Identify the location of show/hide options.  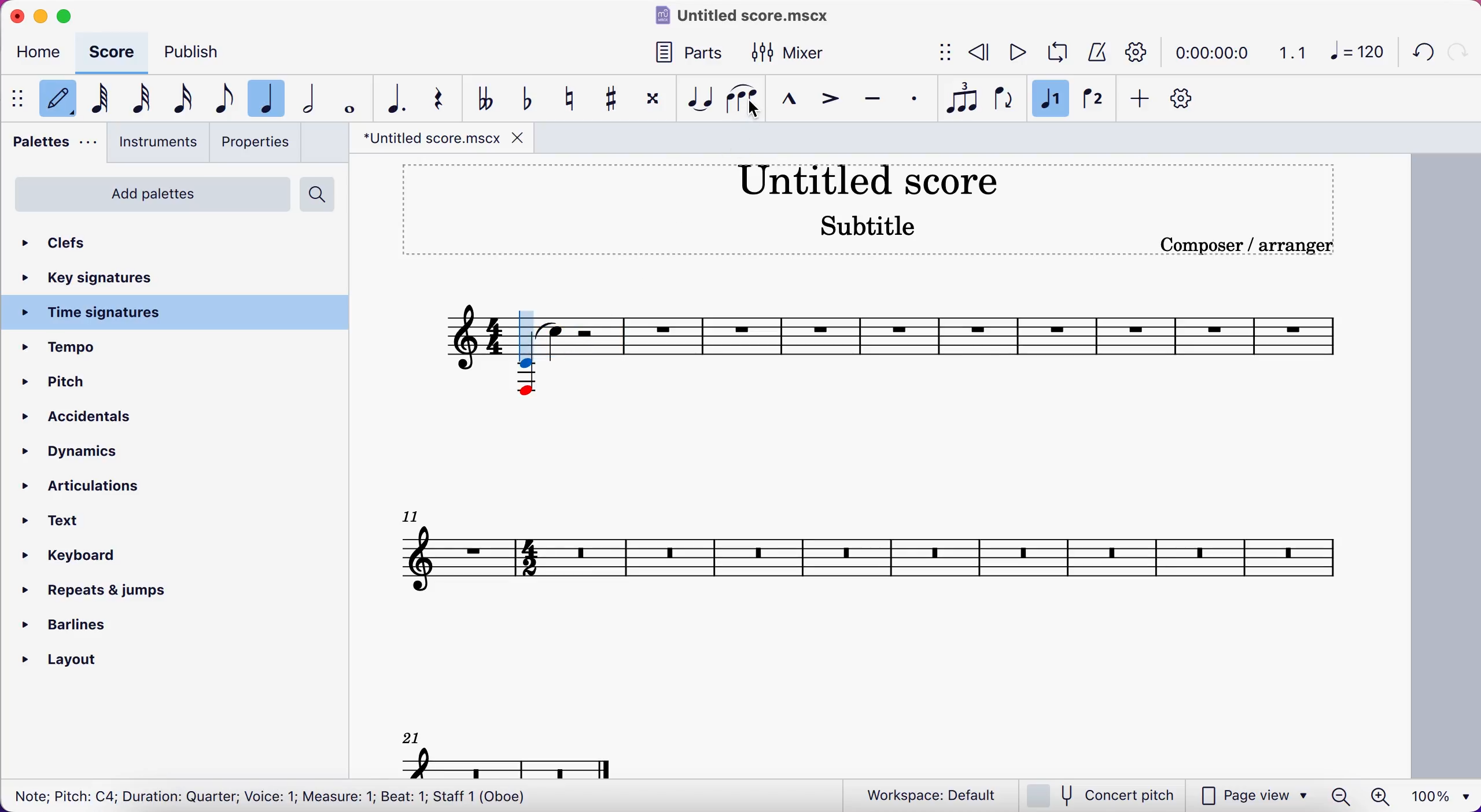
(934, 53).